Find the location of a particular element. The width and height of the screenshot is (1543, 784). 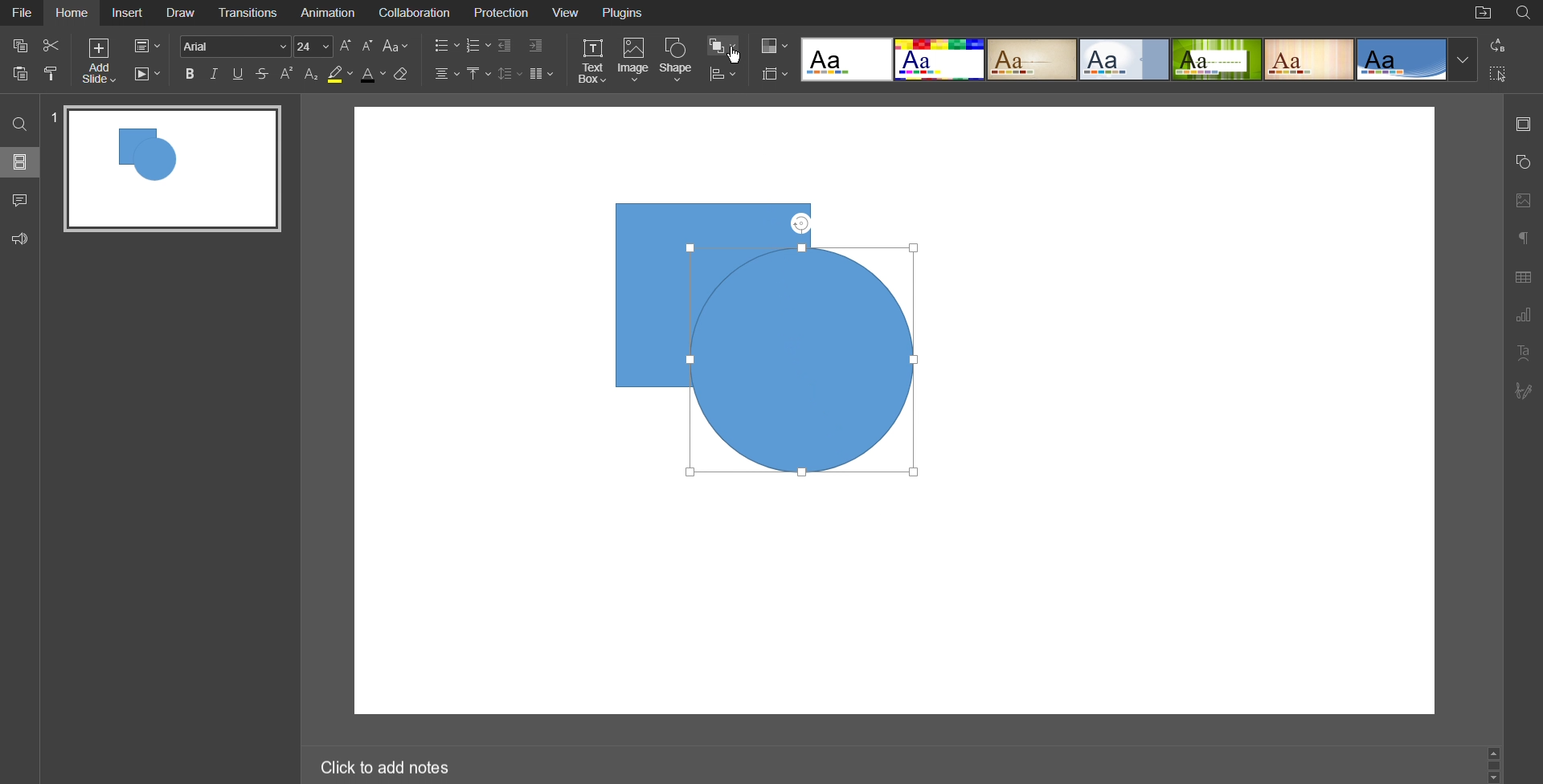

Line Spacing is located at coordinates (507, 72).